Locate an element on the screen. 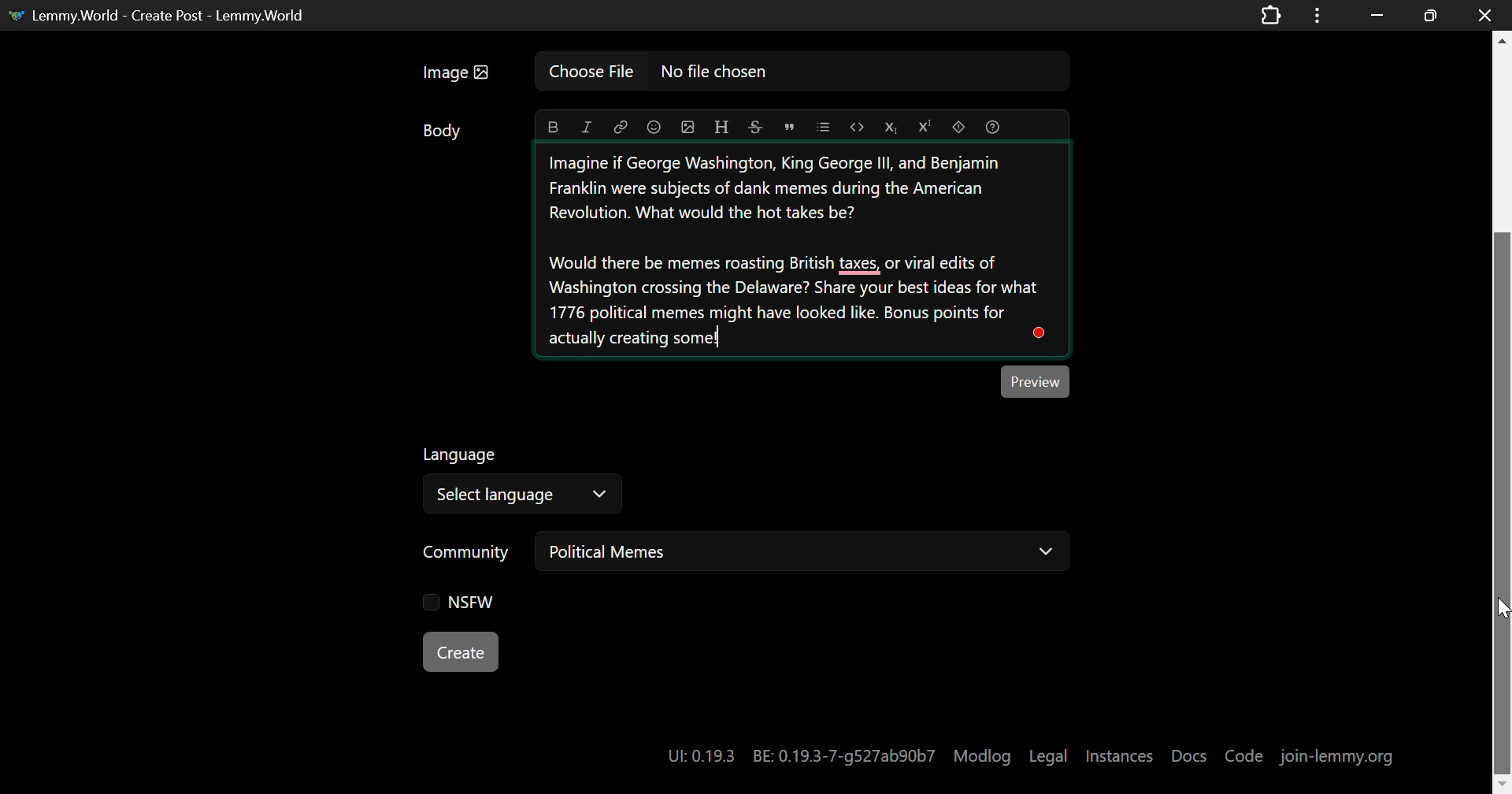 The image size is (1512, 794). Formatting Help is located at coordinates (991, 128).